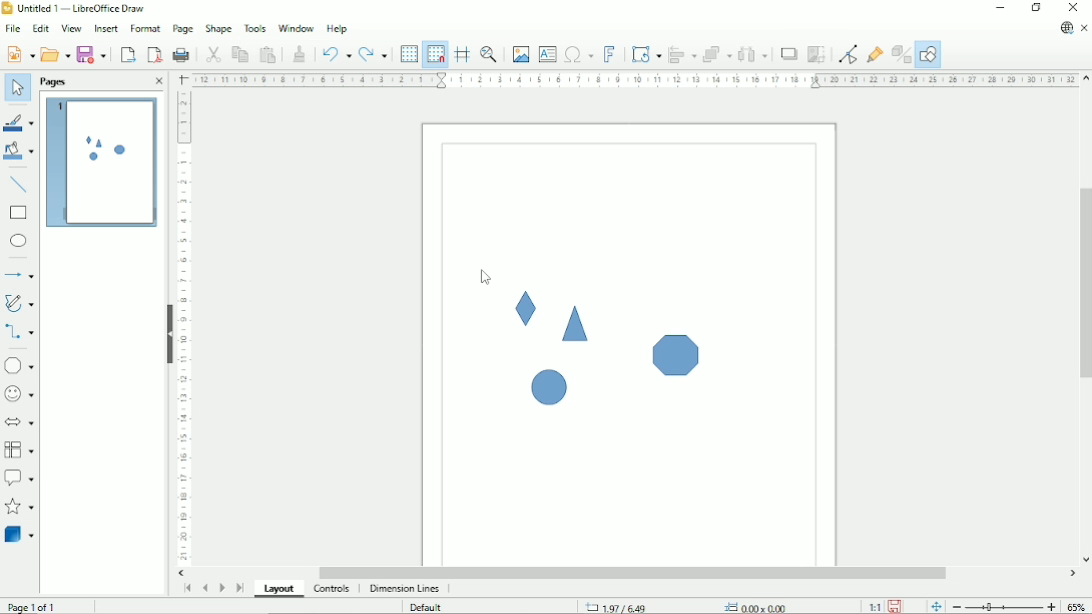  I want to click on Export directly as PDF, so click(154, 55).